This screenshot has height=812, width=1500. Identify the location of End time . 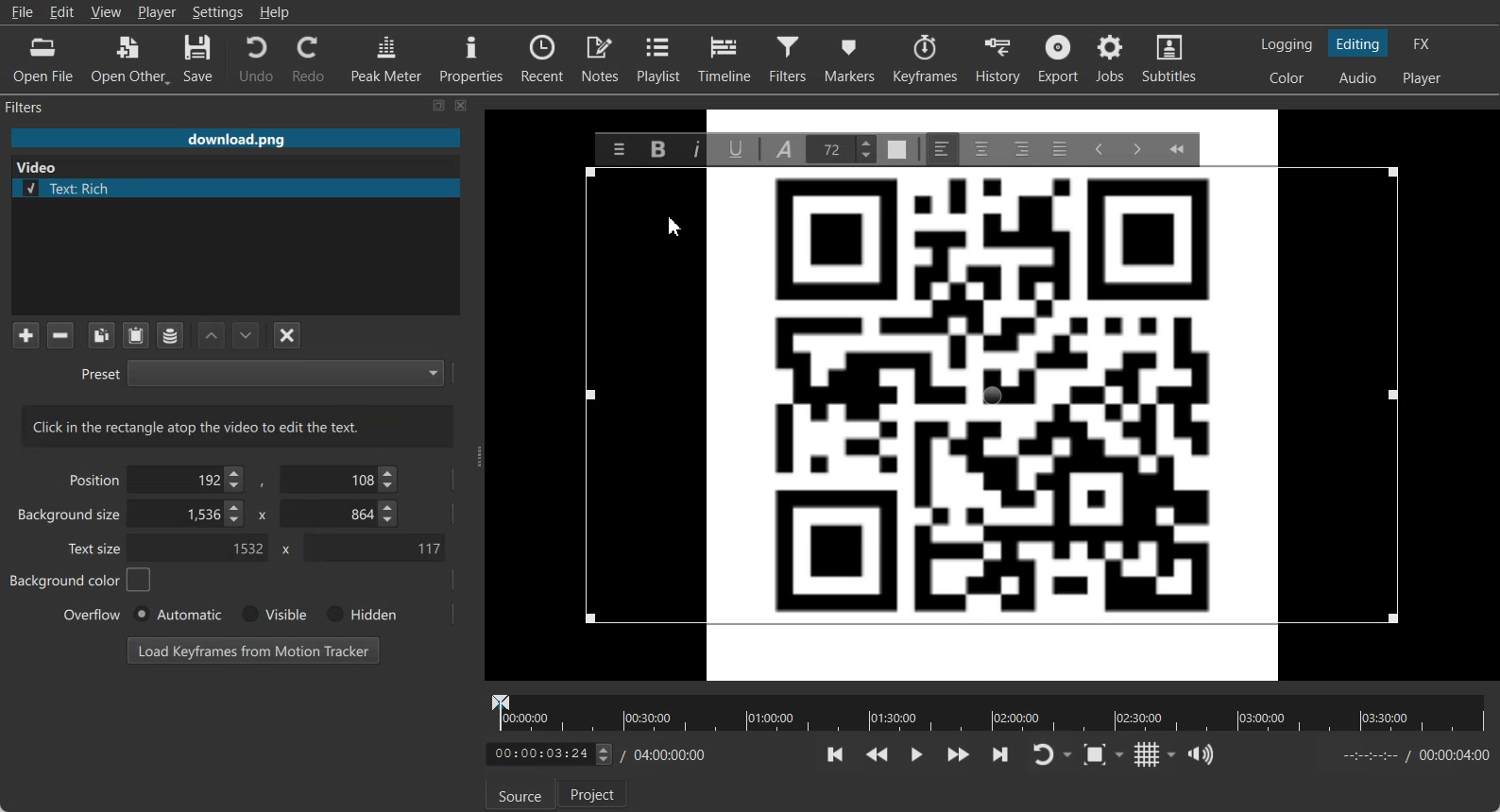
(1411, 755).